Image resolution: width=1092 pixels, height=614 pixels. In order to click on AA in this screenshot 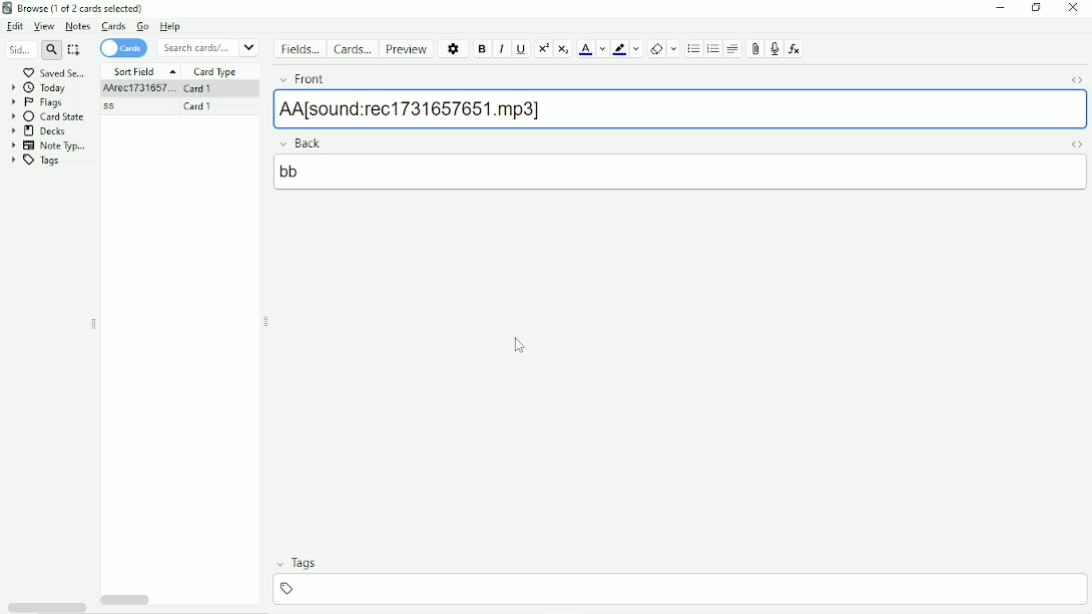, I will do `click(110, 89)`.